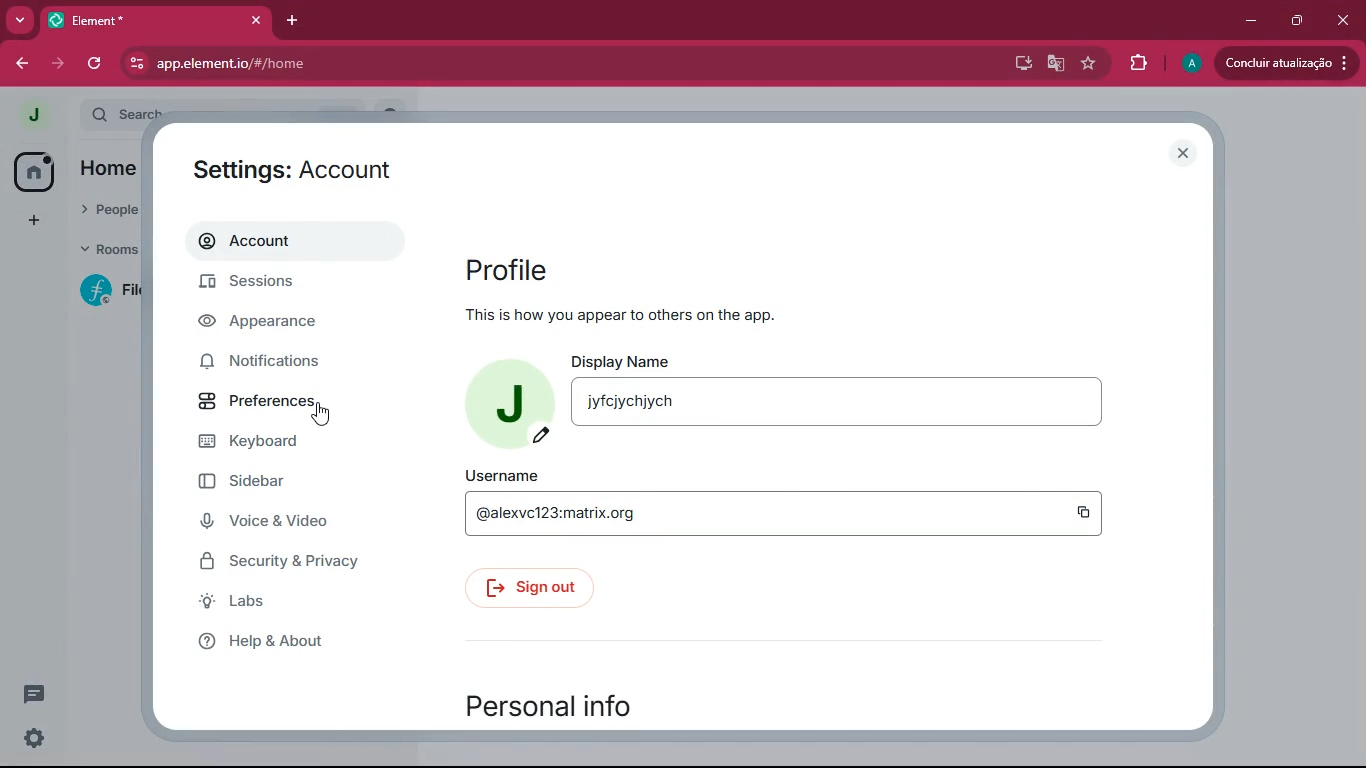  What do you see at coordinates (288, 643) in the screenshot?
I see `help` at bounding box center [288, 643].